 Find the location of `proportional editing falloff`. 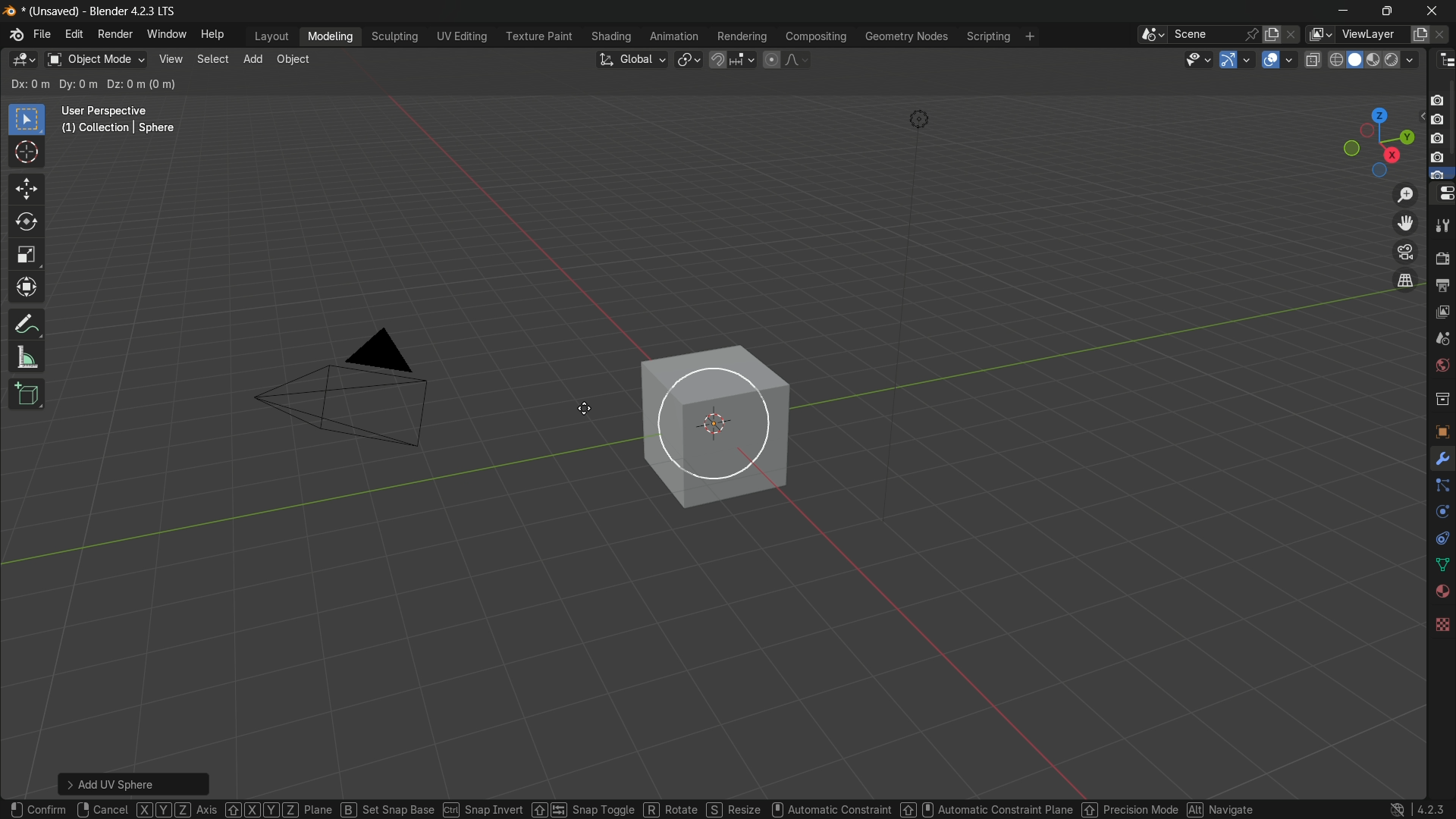

proportional editing falloff is located at coordinates (797, 59).